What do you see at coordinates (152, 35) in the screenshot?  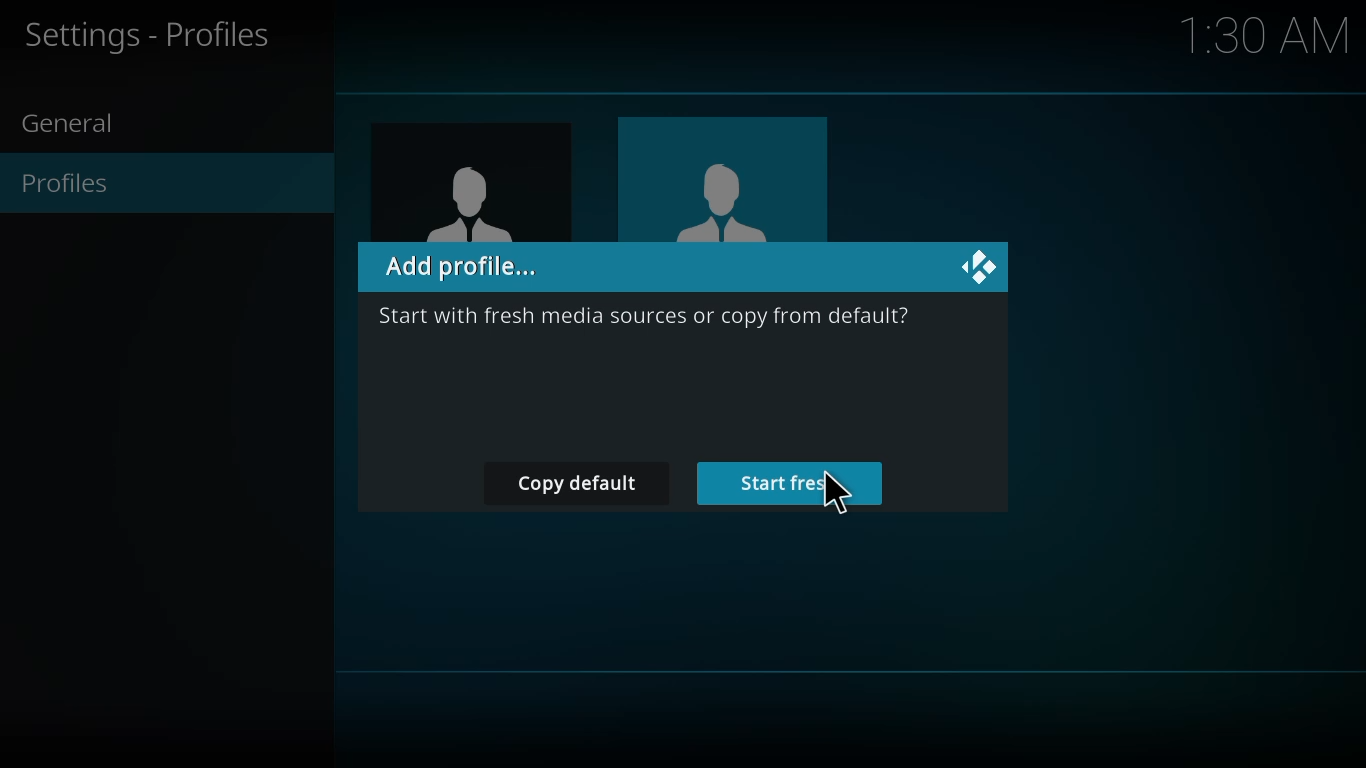 I see `profiles` at bounding box center [152, 35].